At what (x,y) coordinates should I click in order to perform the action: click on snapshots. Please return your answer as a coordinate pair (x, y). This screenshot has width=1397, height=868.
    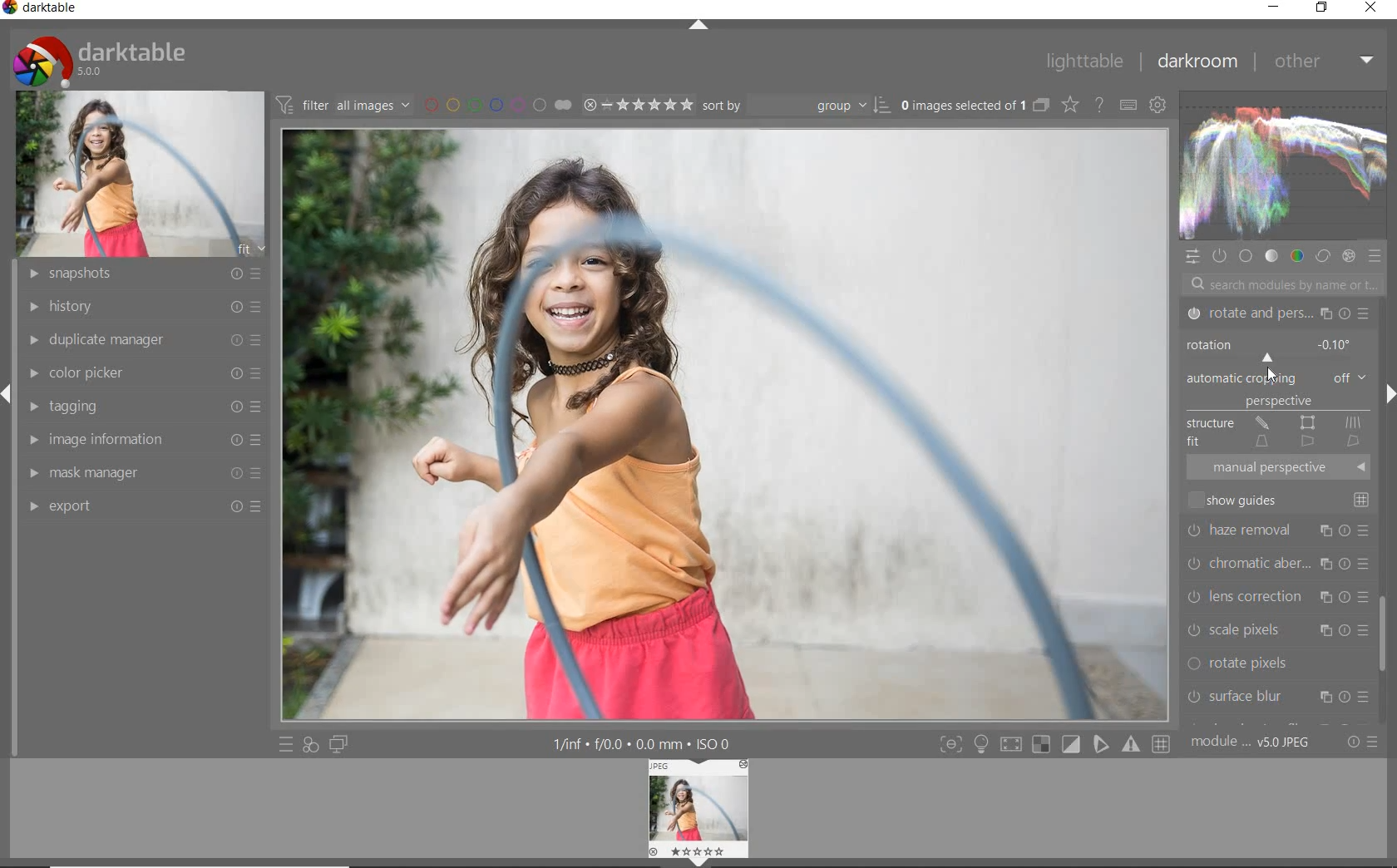
    Looking at the image, I should click on (141, 275).